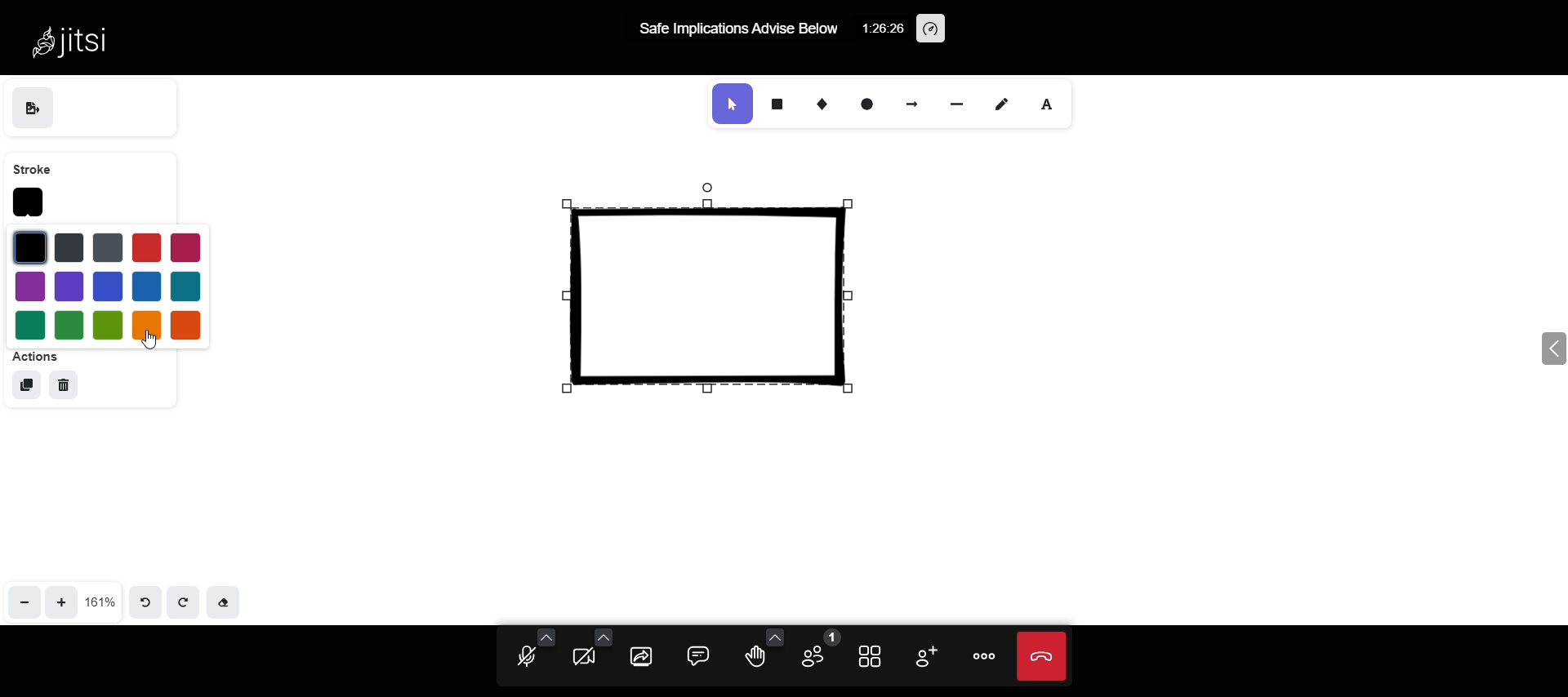 This screenshot has height=697, width=1568. Describe the element at coordinates (109, 247) in the screenshot. I see `blue 2` at that location.